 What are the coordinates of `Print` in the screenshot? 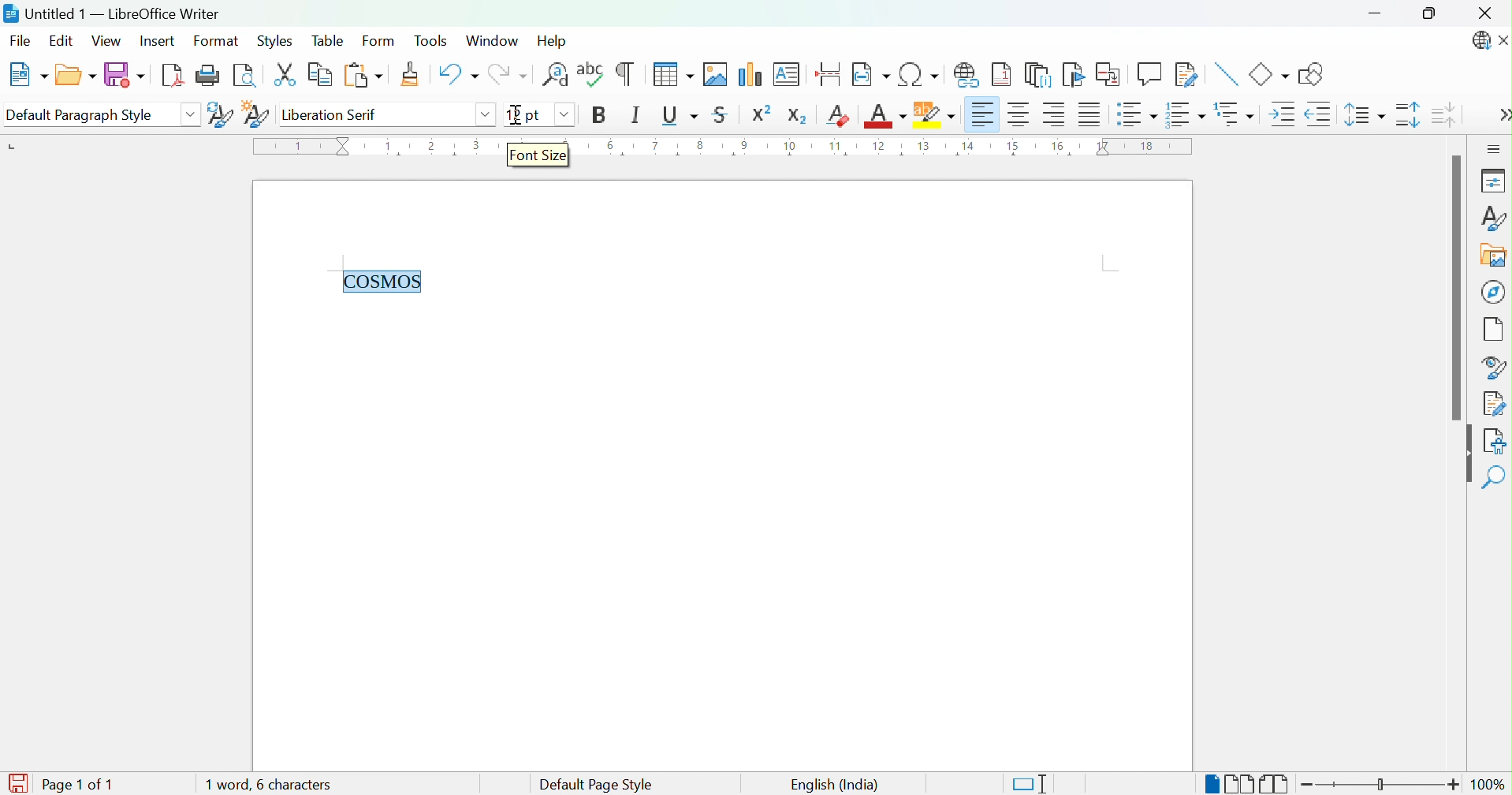 It's located at (209, 75).